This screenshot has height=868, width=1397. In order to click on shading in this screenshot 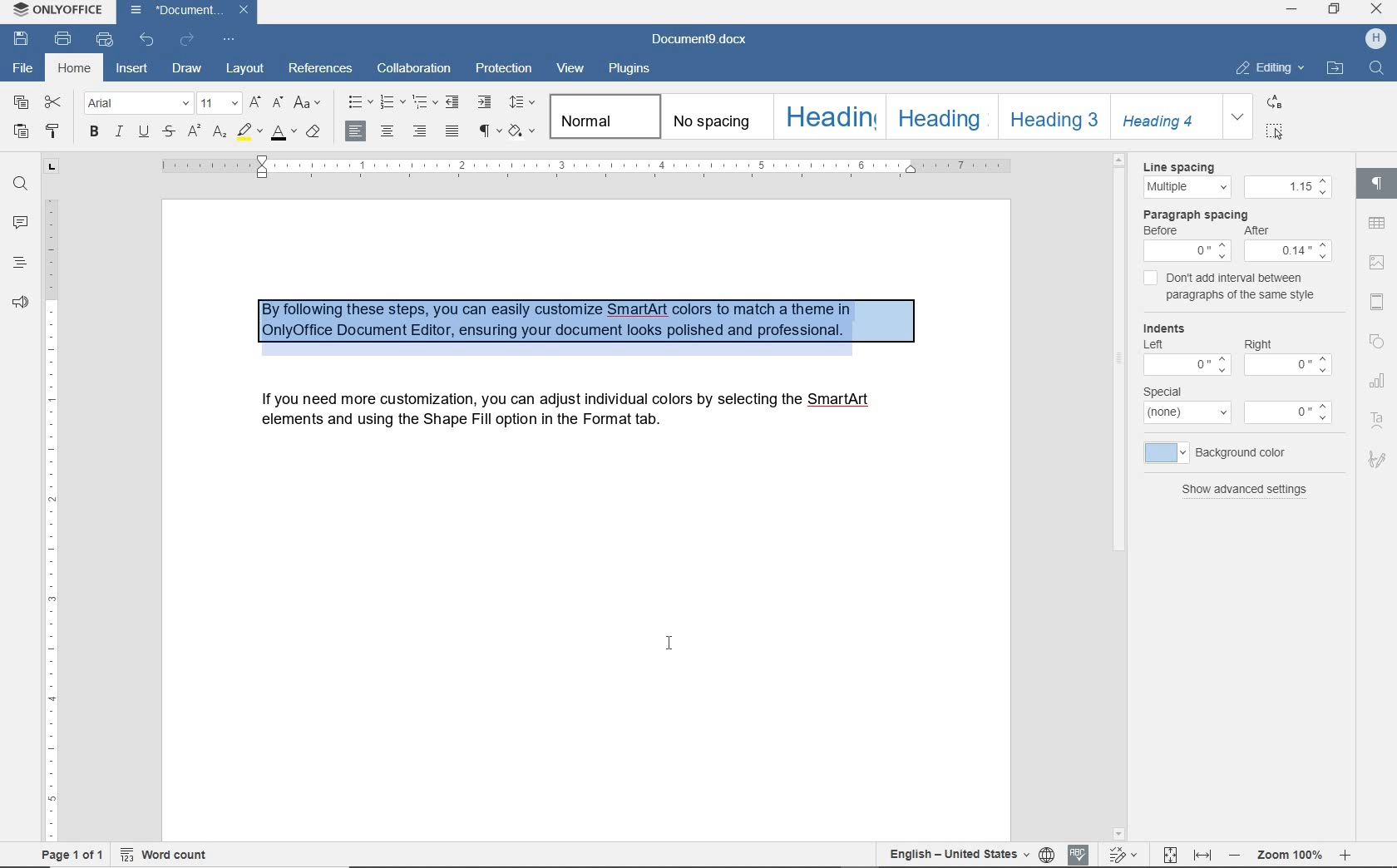, I will do `click(522, 131)`.